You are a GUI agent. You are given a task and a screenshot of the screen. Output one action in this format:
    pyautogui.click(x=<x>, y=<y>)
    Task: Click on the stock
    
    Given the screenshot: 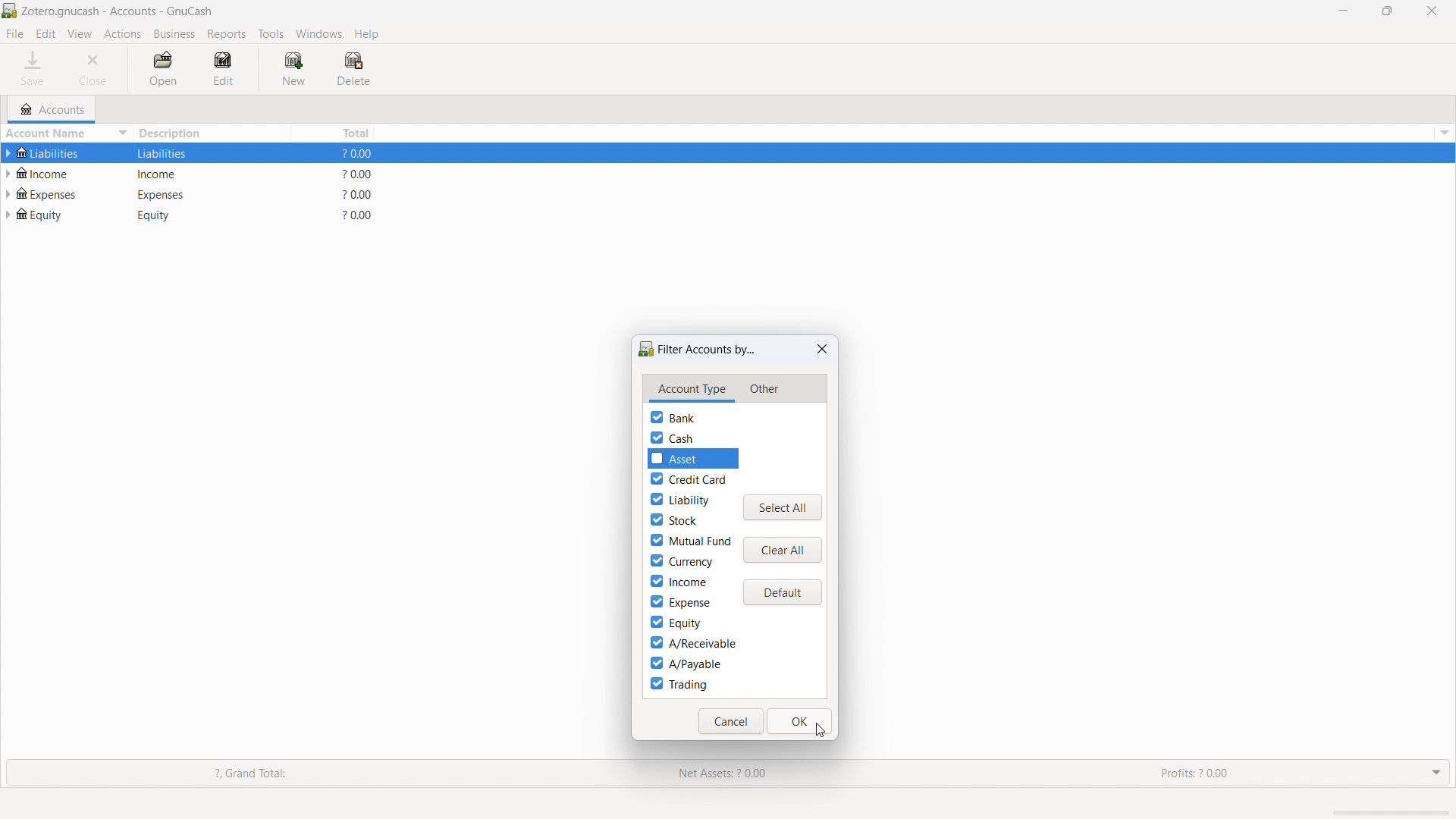 What is the action you would take?
    pyautogui.click(x=673, y=519)
    